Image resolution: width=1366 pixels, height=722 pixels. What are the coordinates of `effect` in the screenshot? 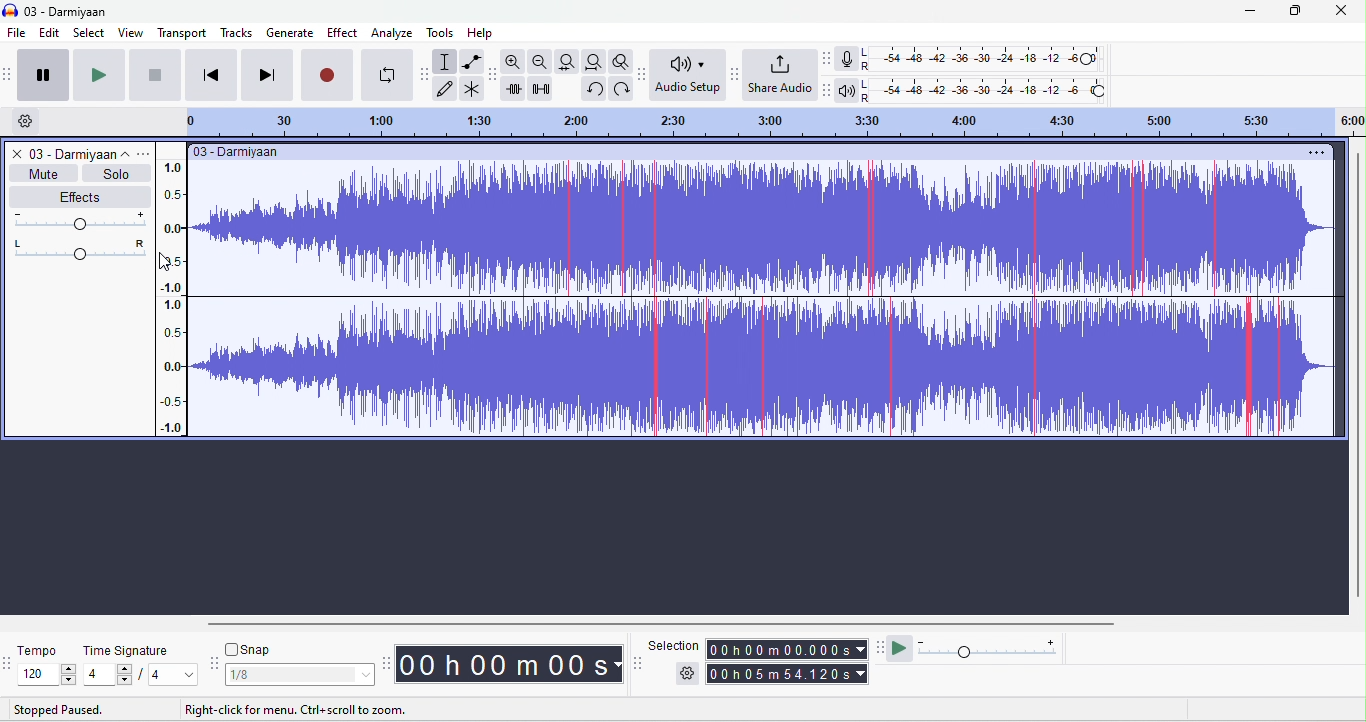 It's located at (343, 32).